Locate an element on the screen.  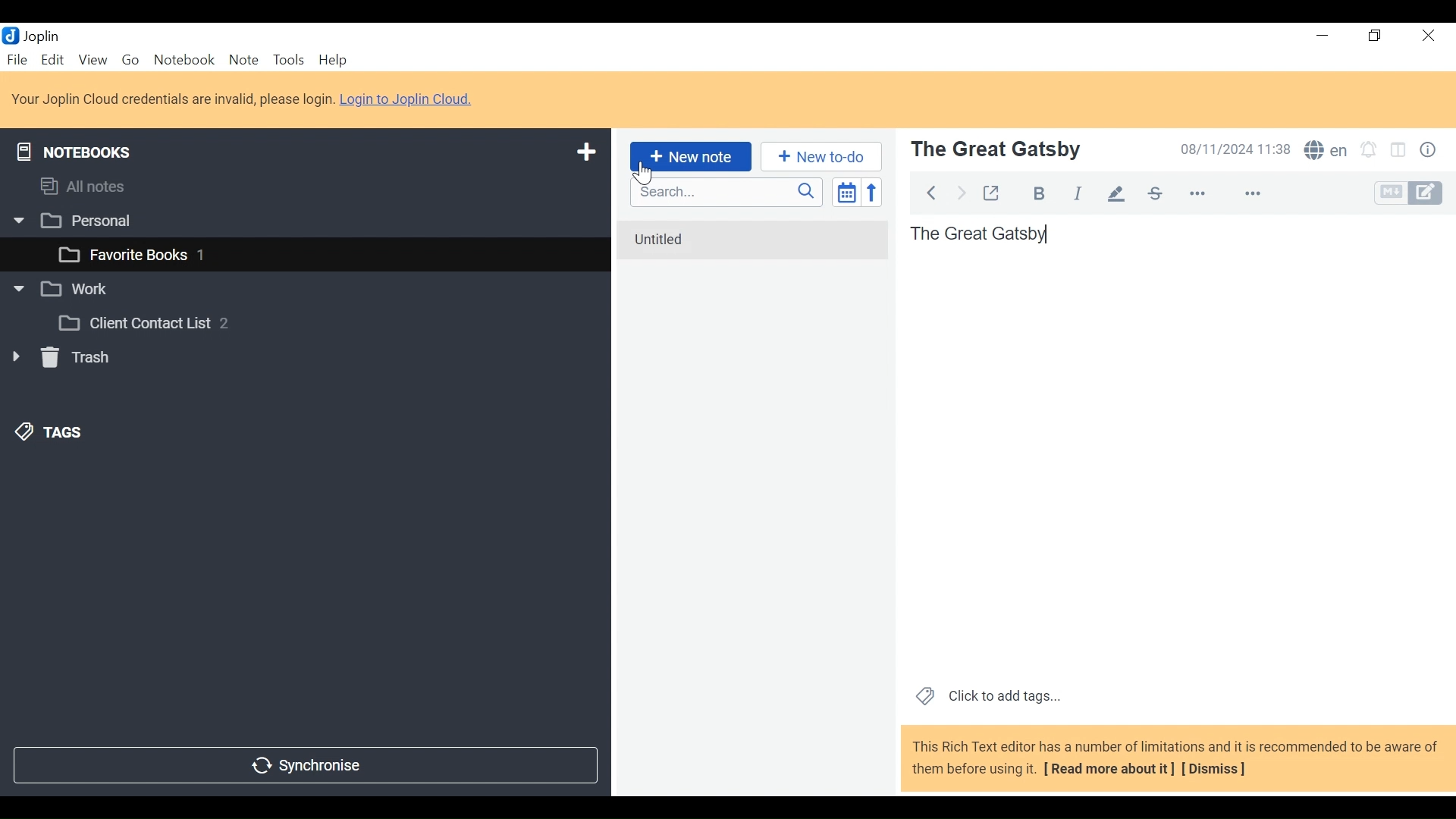
View is located at coordinates (93, 61).